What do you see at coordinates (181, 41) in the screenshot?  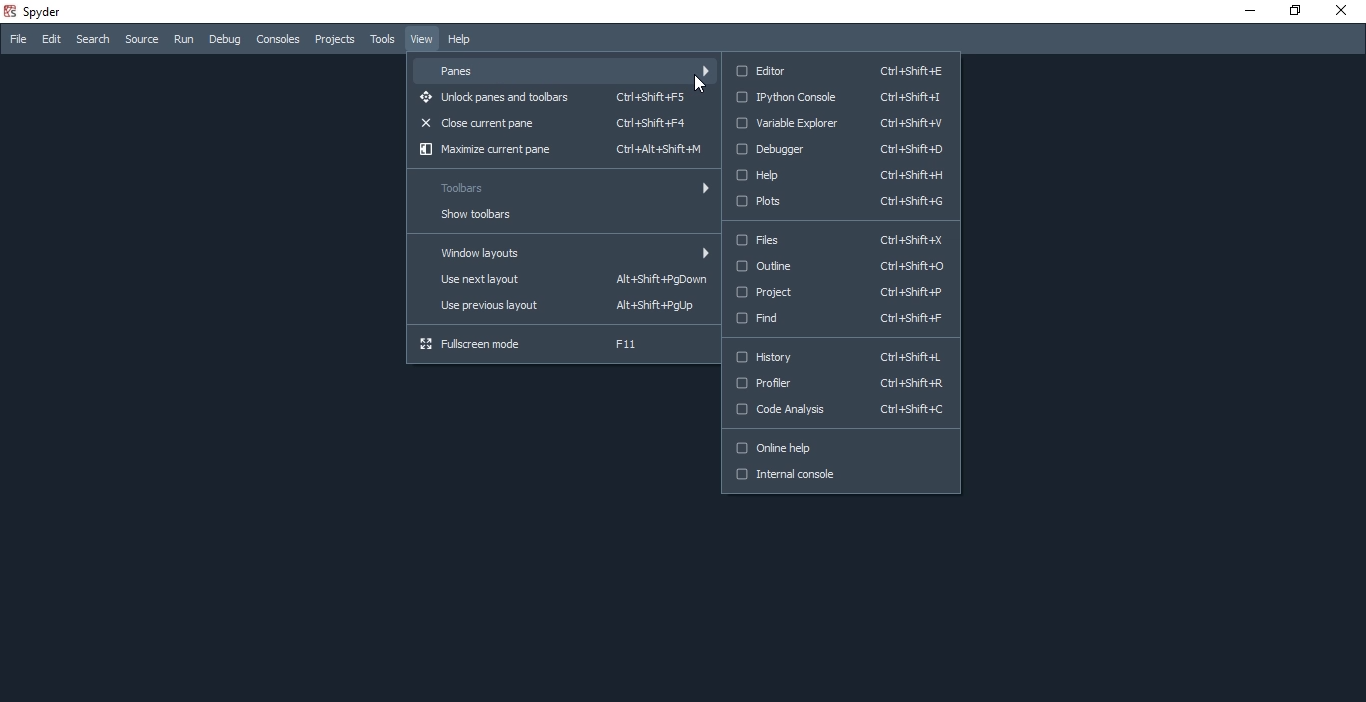 I see `Run` at bounding box center [181, 41].